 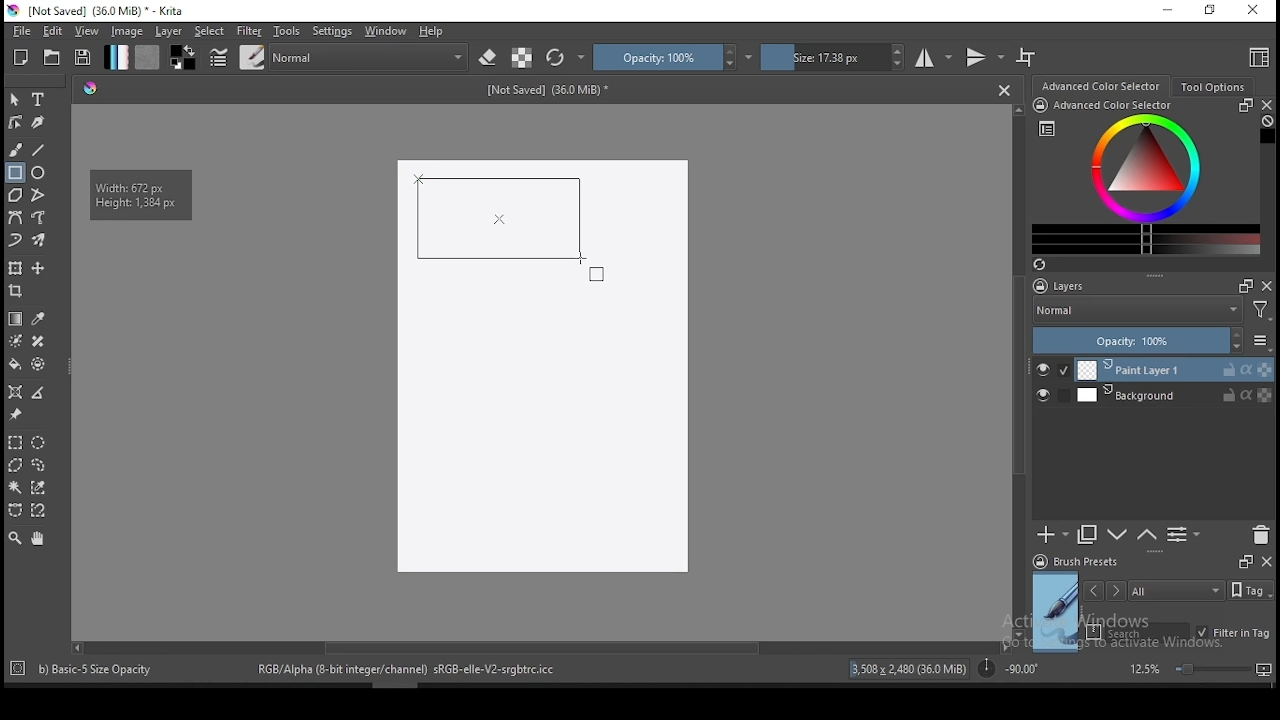 I want to click on icon and file name, so click(x=99, y=11).